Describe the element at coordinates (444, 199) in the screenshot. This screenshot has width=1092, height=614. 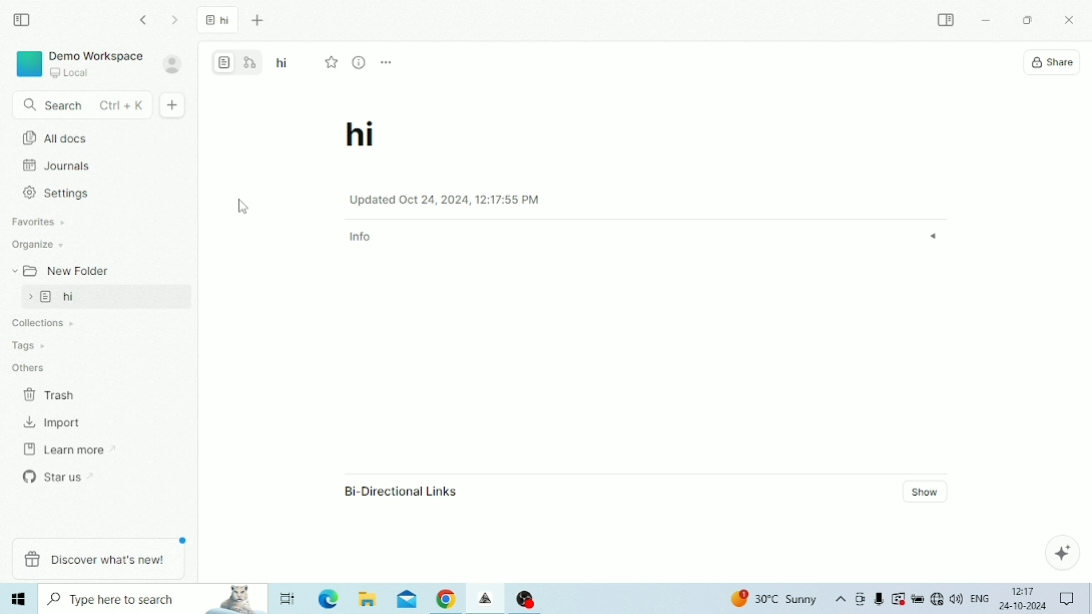
I see `Created on Date and Time` at that location.